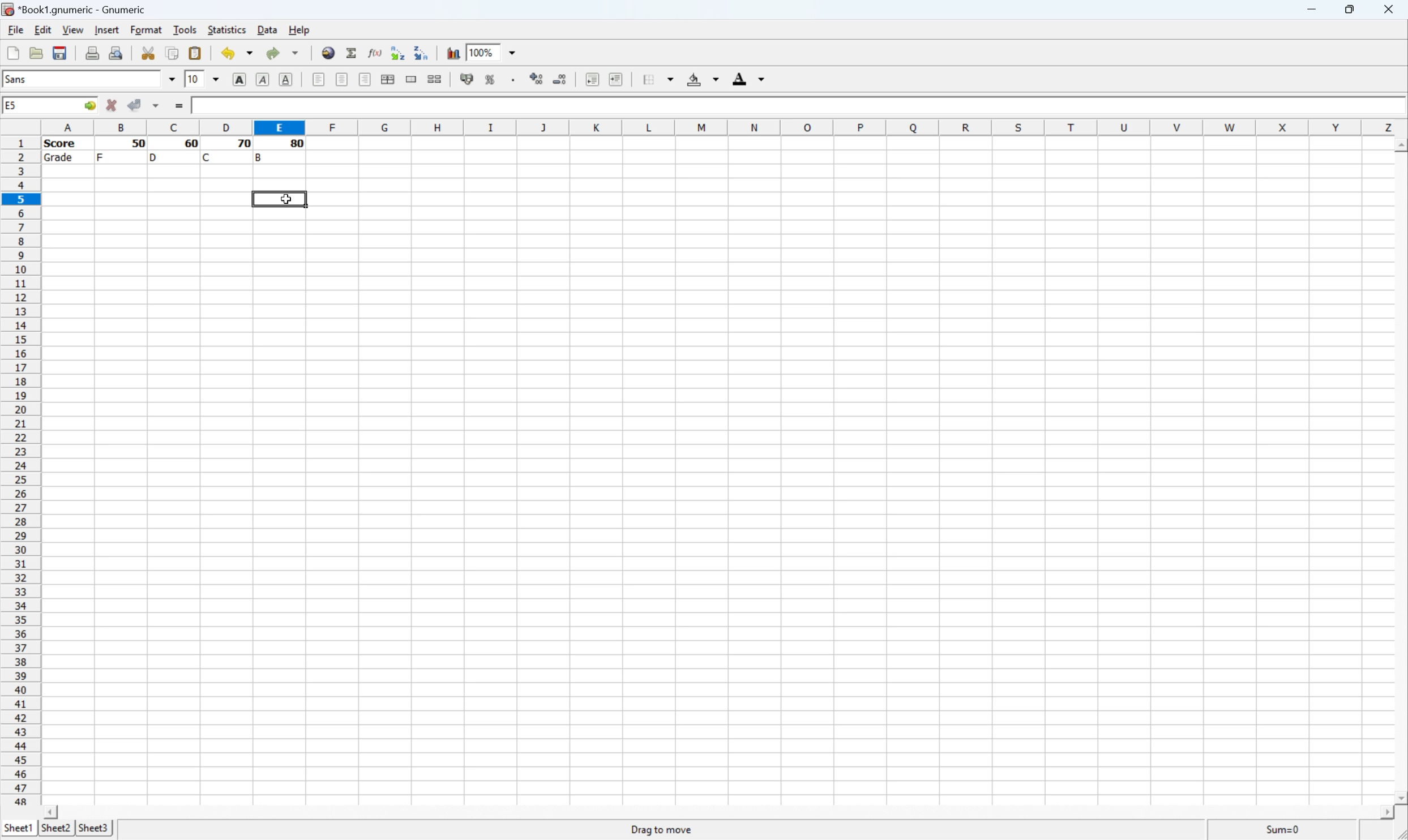 This screenshot has height=840, width=1408. What do you see at coordinates (373, 52) in the screenshot?
I see `Edit a function into the current cell` at bounding box center [373, 52].